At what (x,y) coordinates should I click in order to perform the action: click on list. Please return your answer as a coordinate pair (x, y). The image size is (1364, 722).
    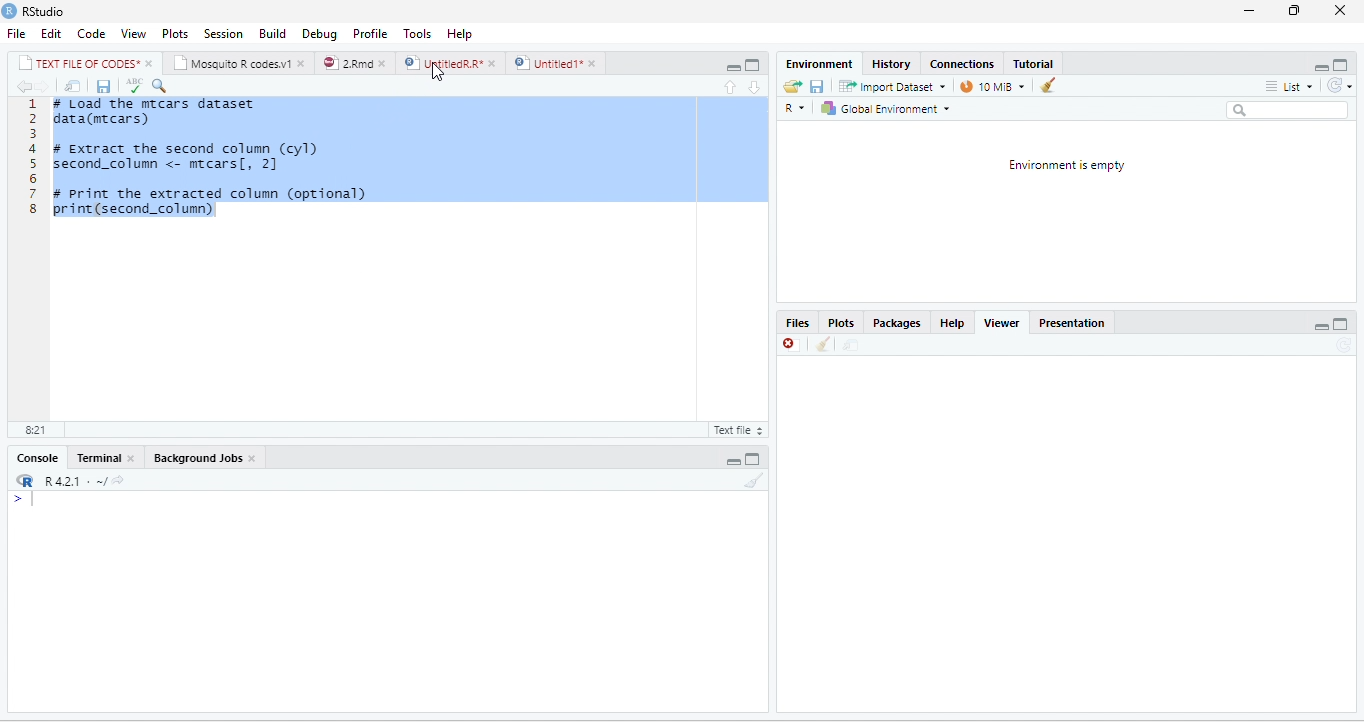
    Looking at the image, I should click on (1291, 87).